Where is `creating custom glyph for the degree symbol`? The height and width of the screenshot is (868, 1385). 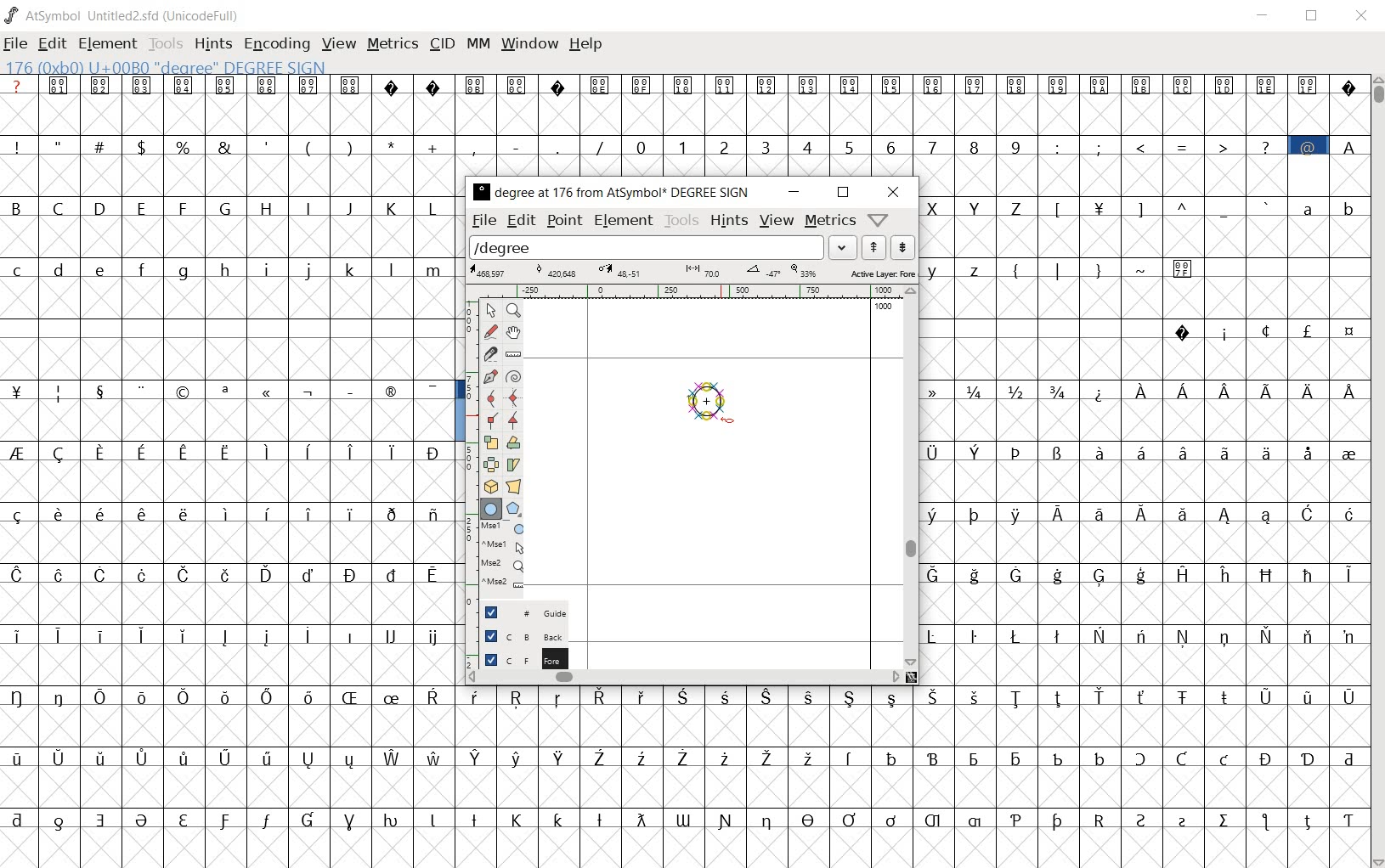
creating custom glyph for the degree symbol is located at coordinates (718, 404).